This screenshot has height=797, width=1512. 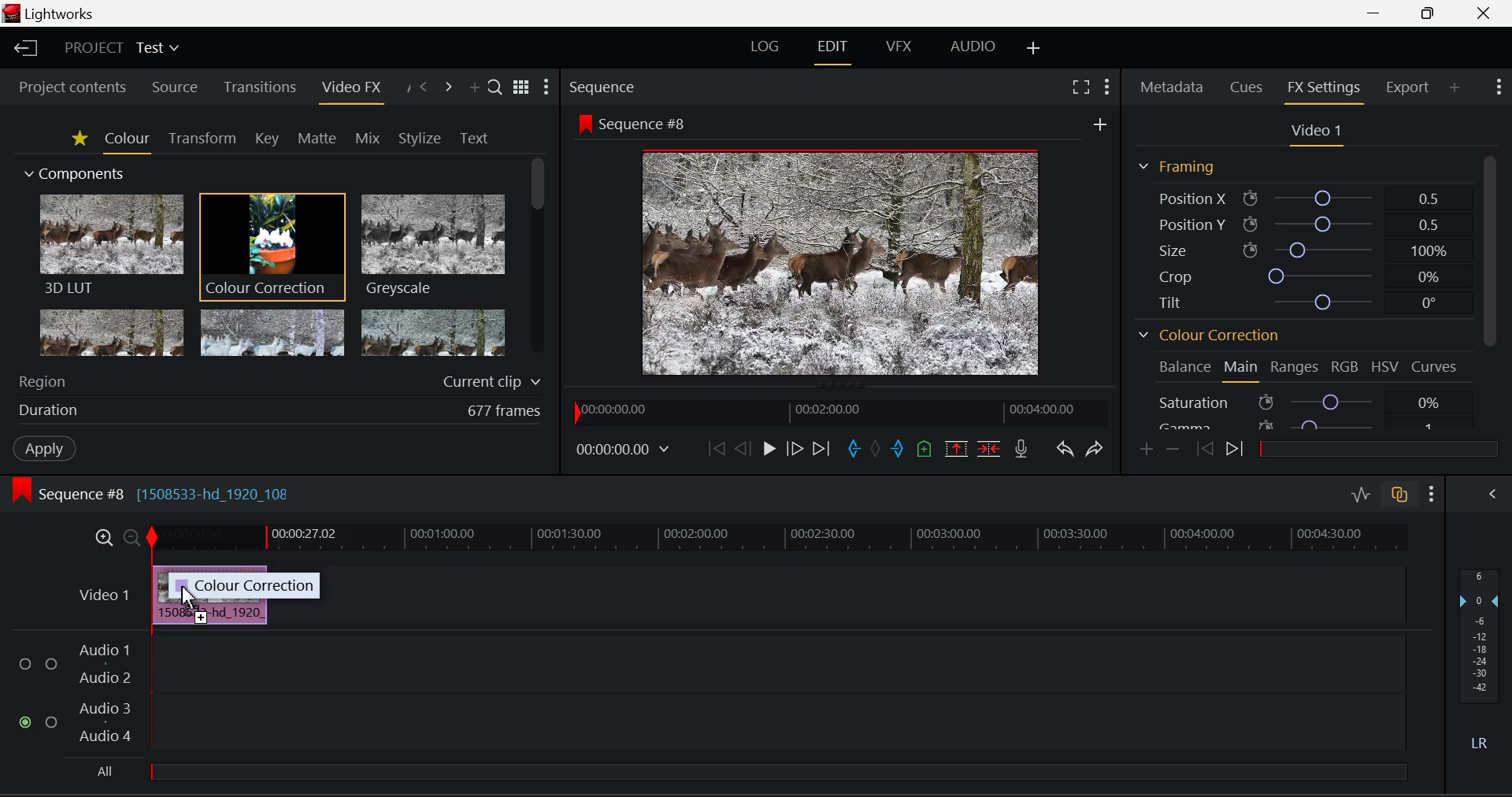 I want to click on Previous keyframe, so click(x=1204, y=450).